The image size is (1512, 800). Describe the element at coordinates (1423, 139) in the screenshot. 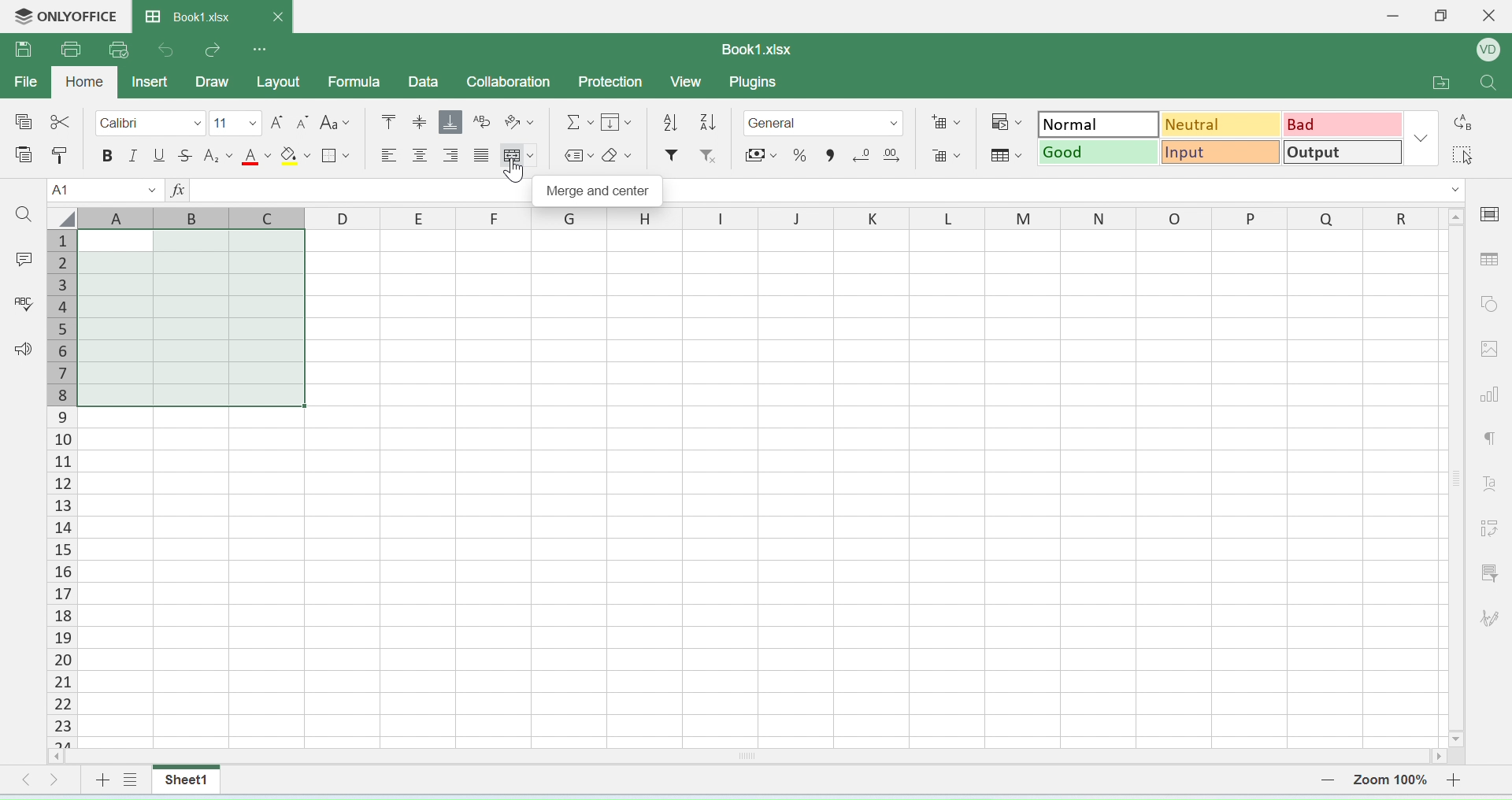

I see `dropdown` at that location.